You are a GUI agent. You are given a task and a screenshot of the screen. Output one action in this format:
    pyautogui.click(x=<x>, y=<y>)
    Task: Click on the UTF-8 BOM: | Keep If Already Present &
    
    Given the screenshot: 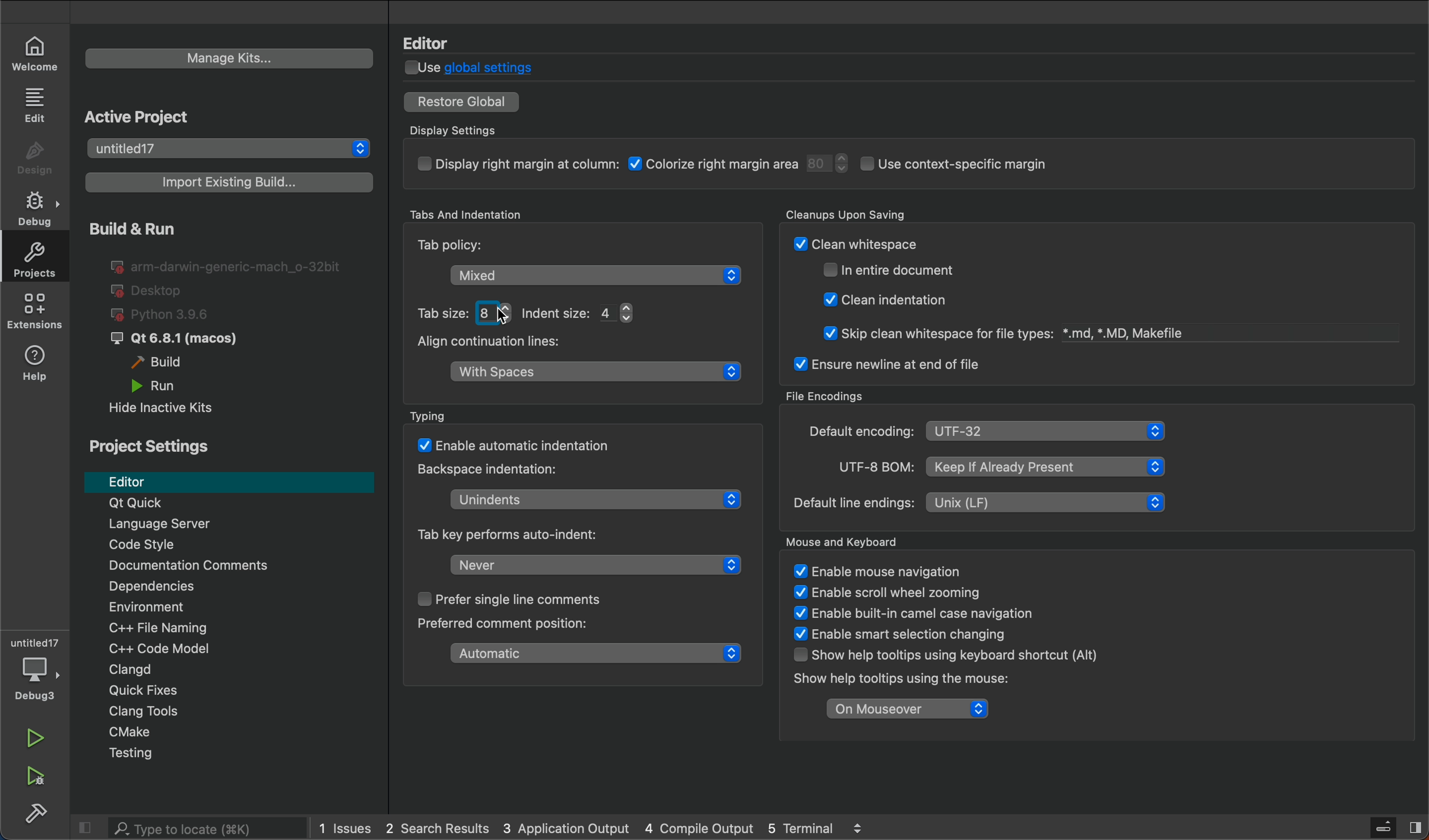 What is the action you would take?
    pyautogui.click(x=989, y=465)
    